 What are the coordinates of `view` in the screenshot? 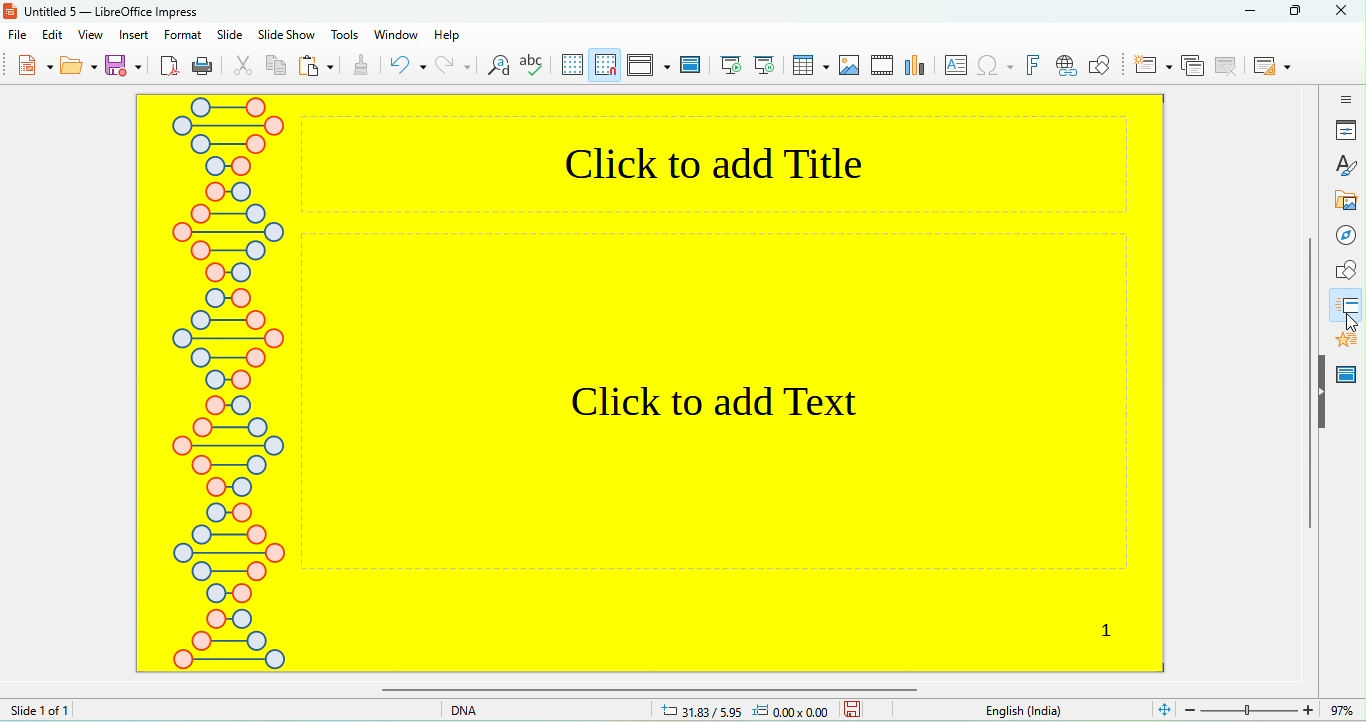 It's located at (85, 36).